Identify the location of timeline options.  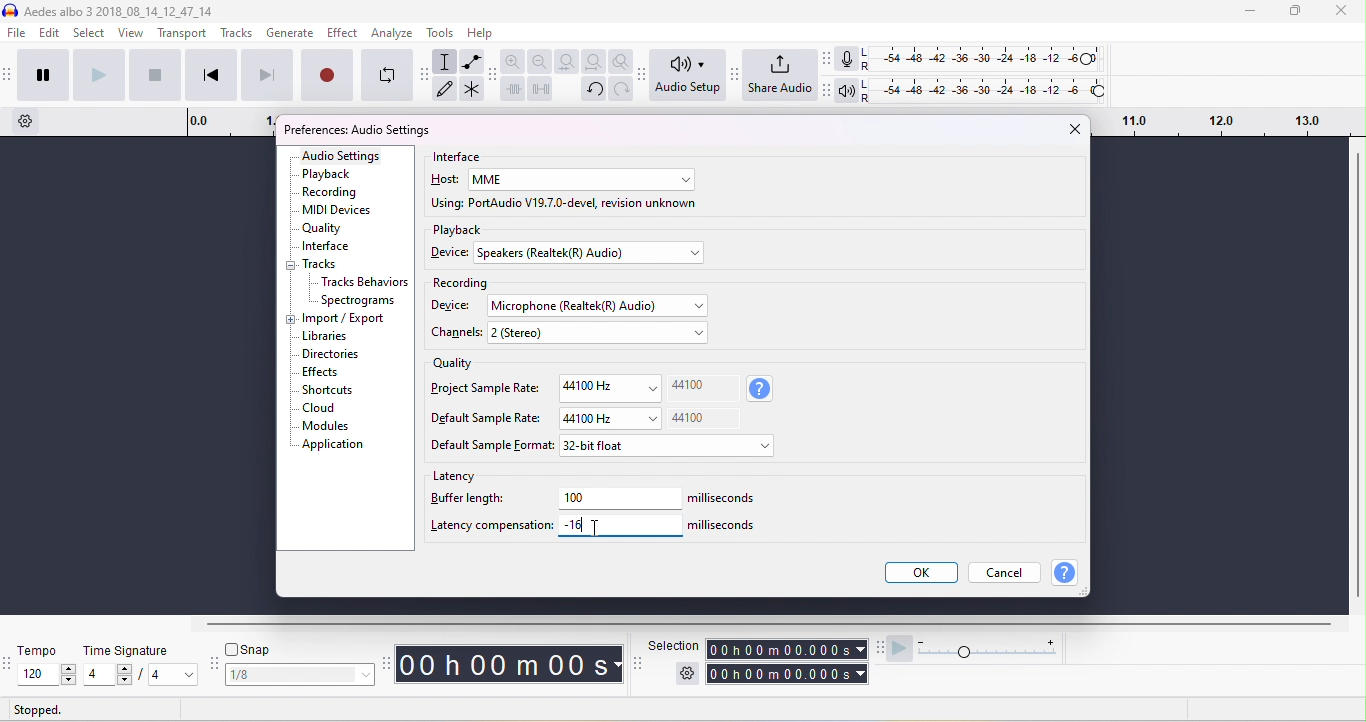
(26, 121).